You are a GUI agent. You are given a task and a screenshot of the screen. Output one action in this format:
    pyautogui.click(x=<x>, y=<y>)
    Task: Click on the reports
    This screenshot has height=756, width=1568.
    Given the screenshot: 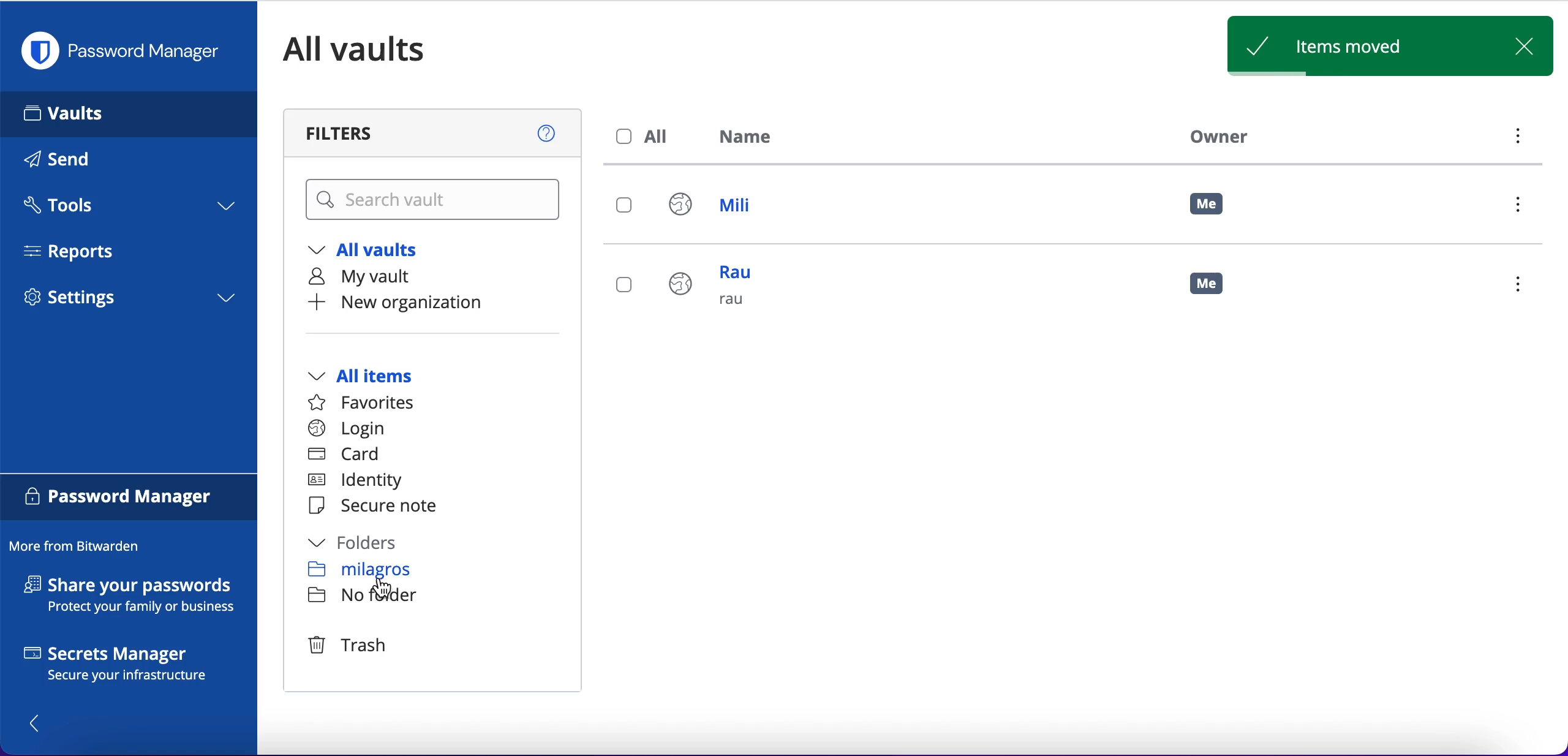 What is the action you would take?
    pyautogui.click(x=78, y=251)
    